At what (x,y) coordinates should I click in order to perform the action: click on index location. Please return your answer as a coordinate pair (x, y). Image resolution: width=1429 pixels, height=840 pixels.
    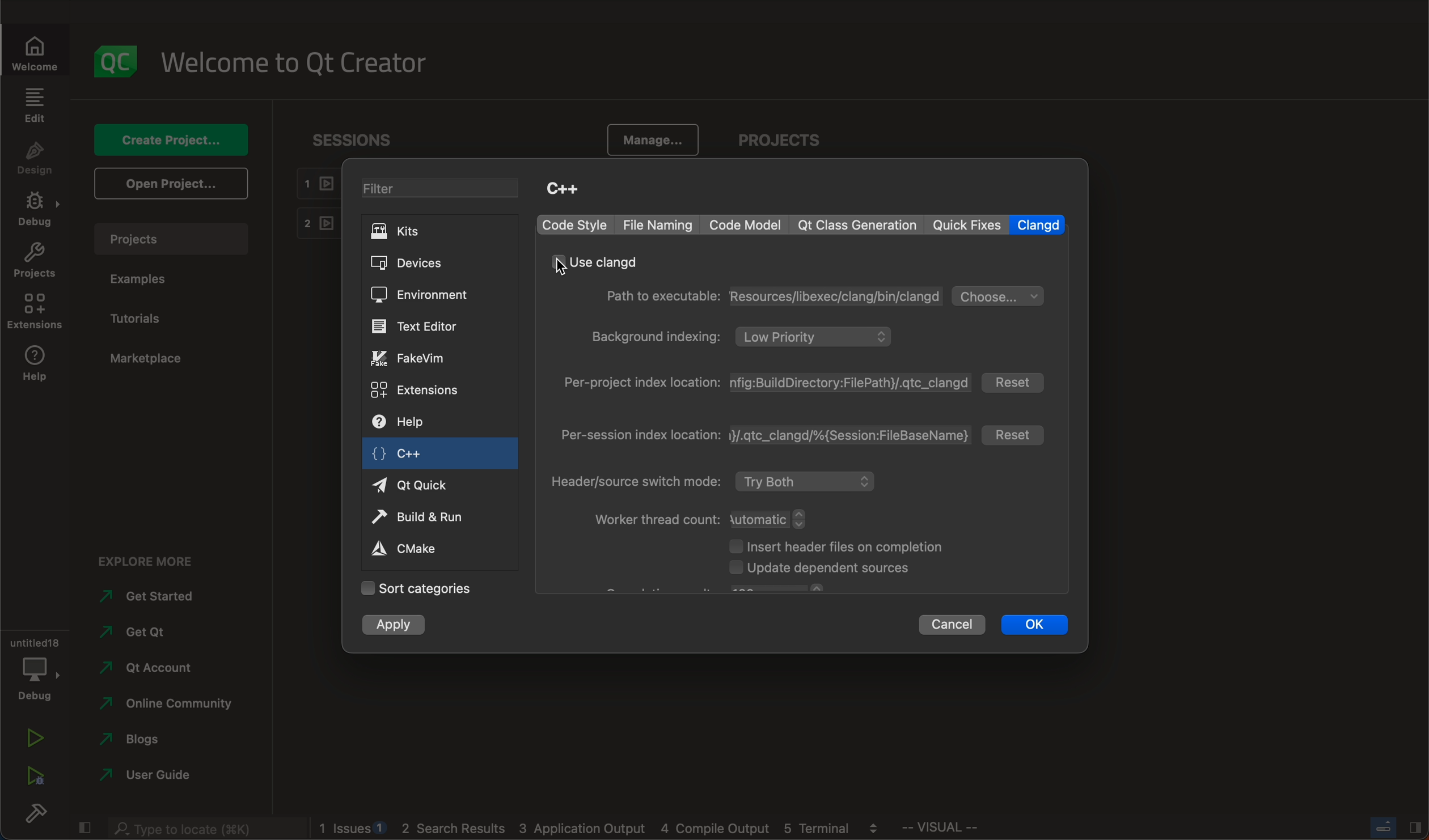
    Looking at the image, I should click on (766, 385).